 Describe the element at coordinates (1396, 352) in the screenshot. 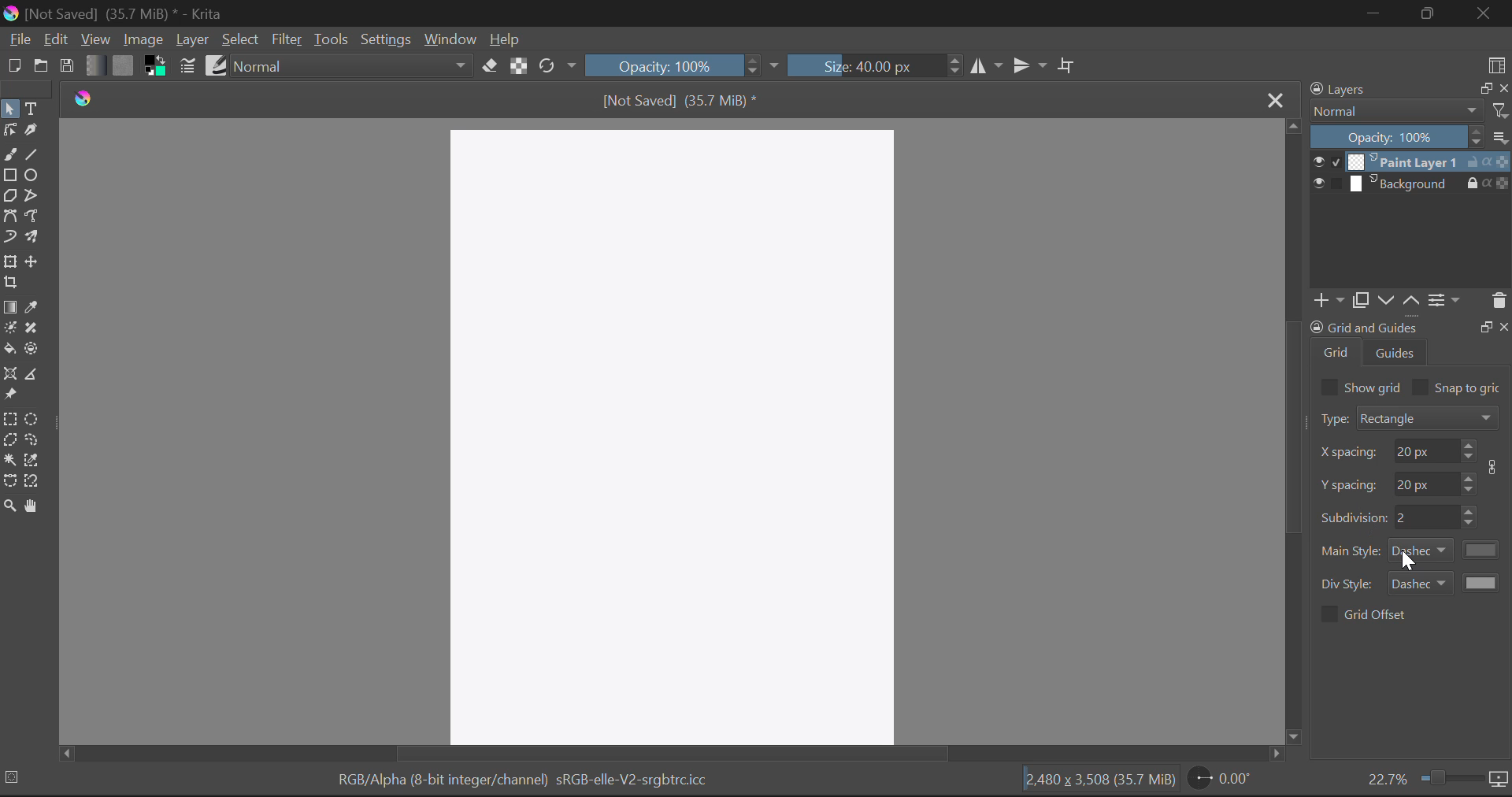

I see `guides` at that location.